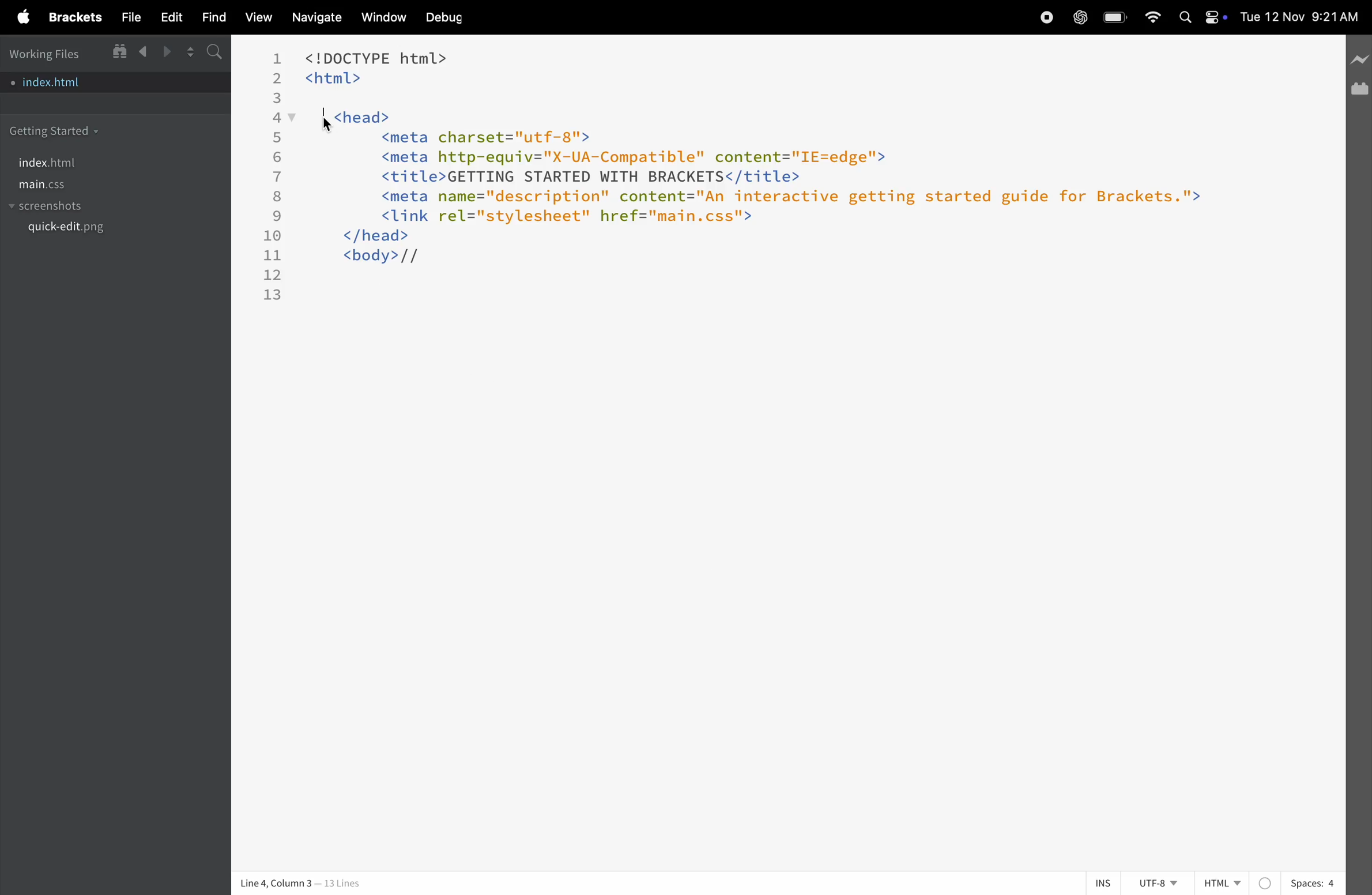 The height and width of the screenshot is (895, 1372). Describe the element at coordinates (165, 52) in the screenshot. I see `forward` at that location.